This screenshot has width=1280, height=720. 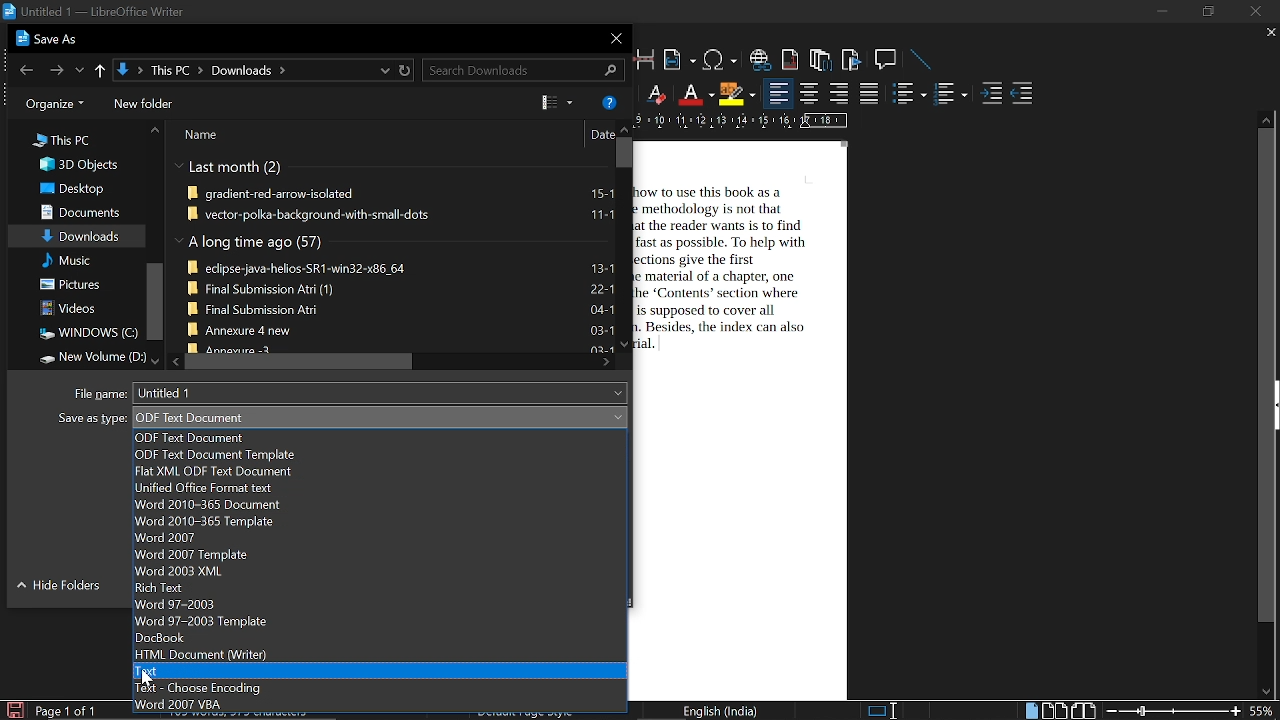 I want to click on move down, so click(x=1262, y=692).